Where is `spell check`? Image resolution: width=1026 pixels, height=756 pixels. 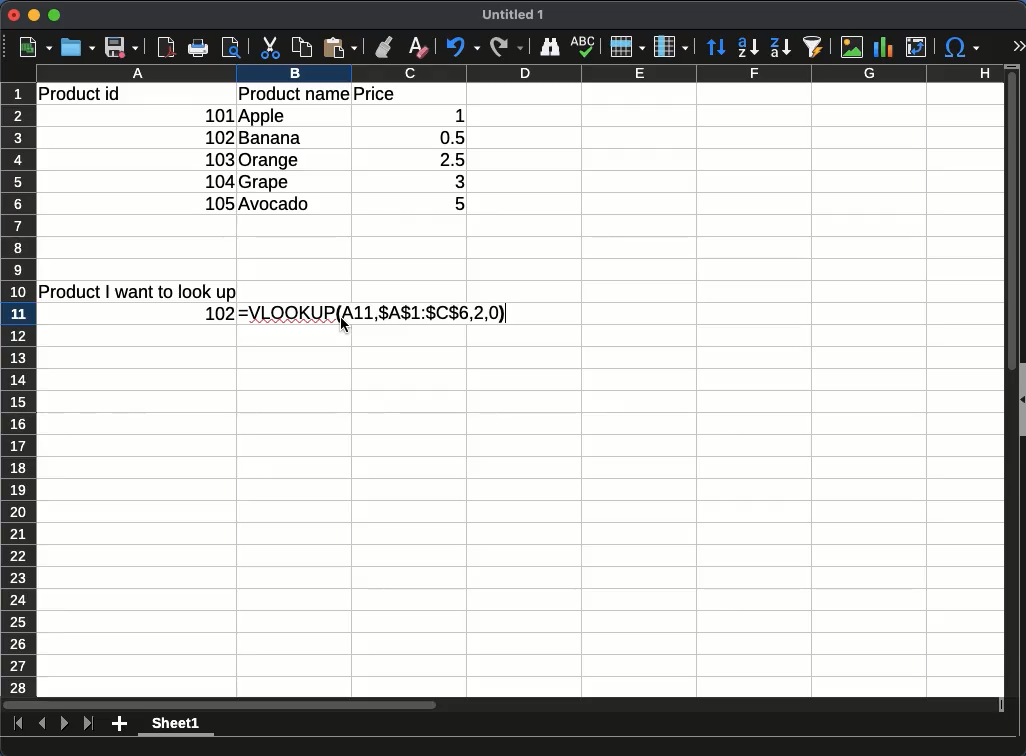
spell check is located at coordinates (583, 46).